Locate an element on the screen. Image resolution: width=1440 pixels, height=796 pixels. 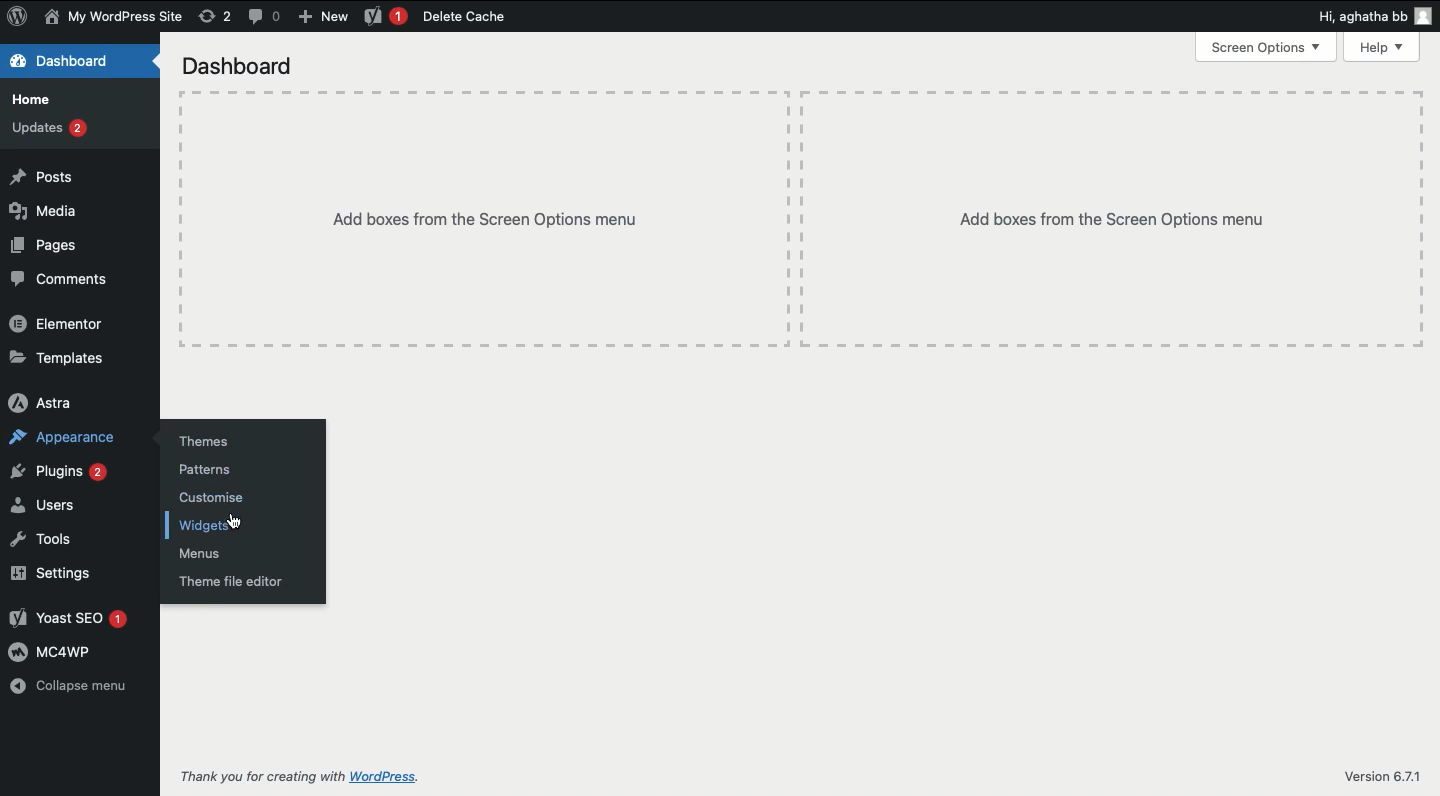
theme file editor is located at coordinates (245, 582).